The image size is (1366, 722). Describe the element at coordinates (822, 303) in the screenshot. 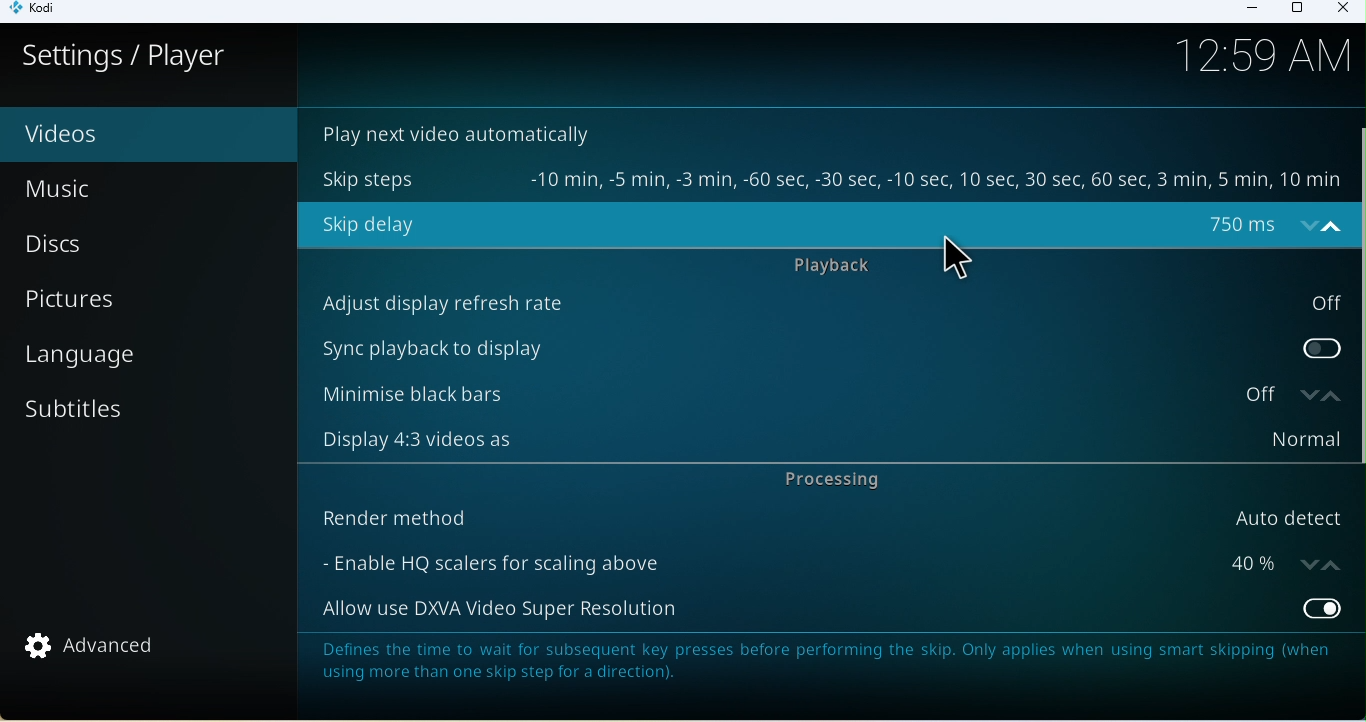

I see `Auto display refresh rate` at that location.